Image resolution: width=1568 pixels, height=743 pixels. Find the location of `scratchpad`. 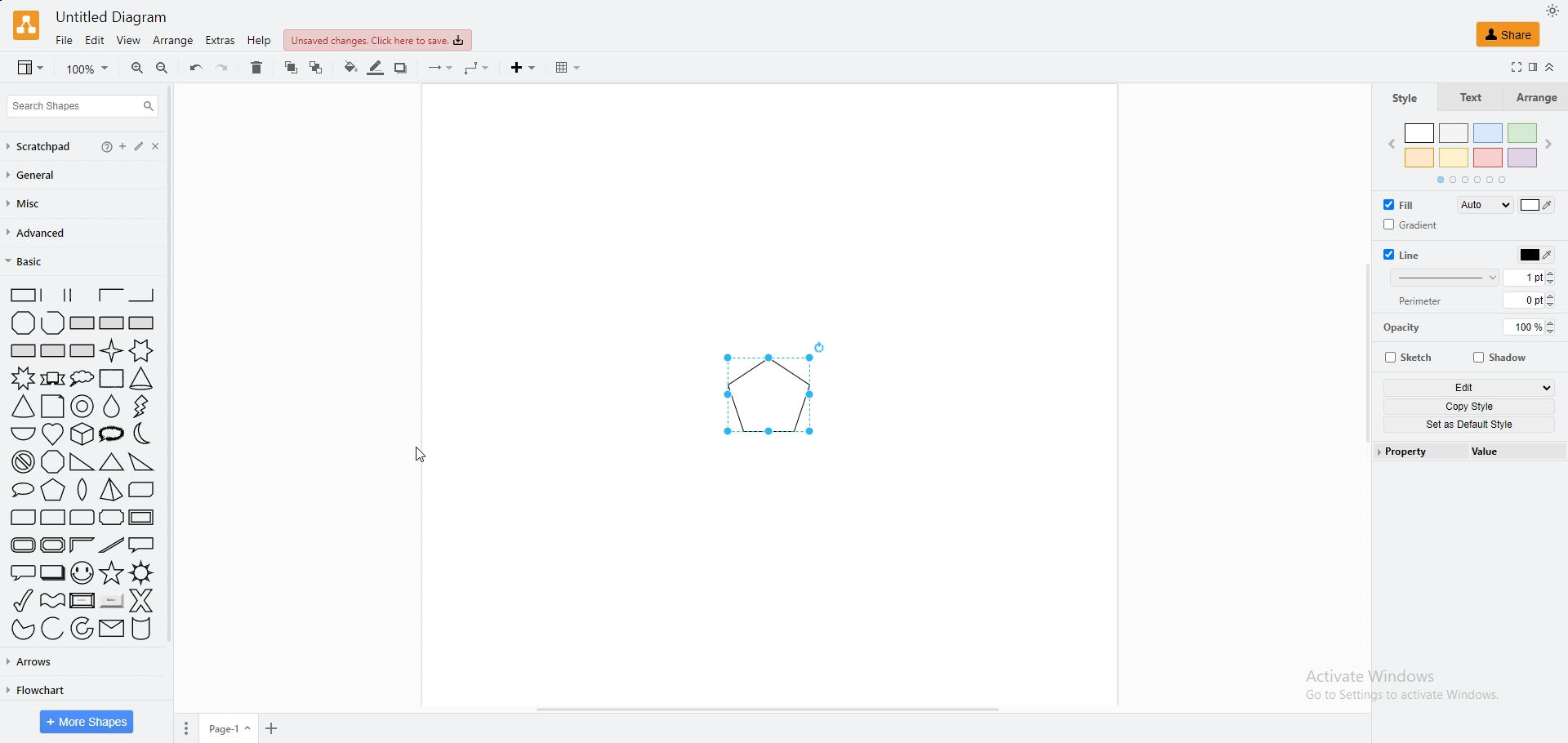

scratchpad is located at coordinates (41, 147).